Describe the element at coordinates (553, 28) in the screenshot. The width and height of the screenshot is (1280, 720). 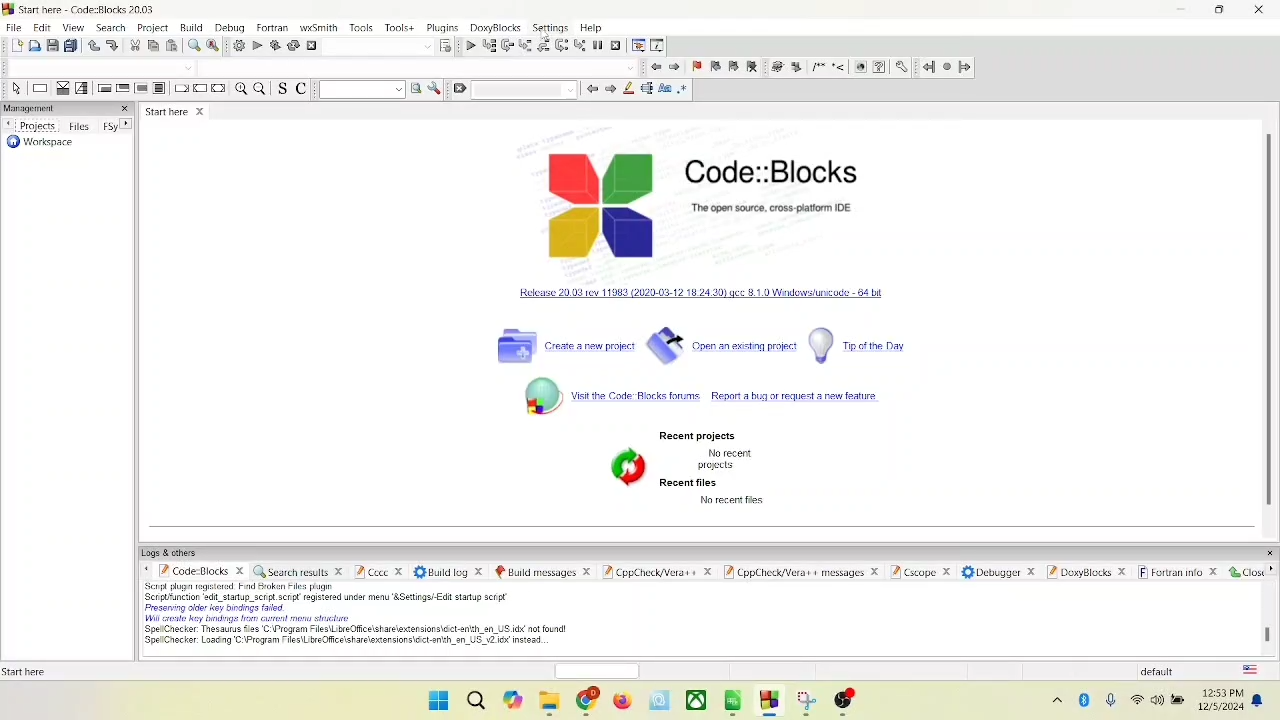
I see `settings` at that location.